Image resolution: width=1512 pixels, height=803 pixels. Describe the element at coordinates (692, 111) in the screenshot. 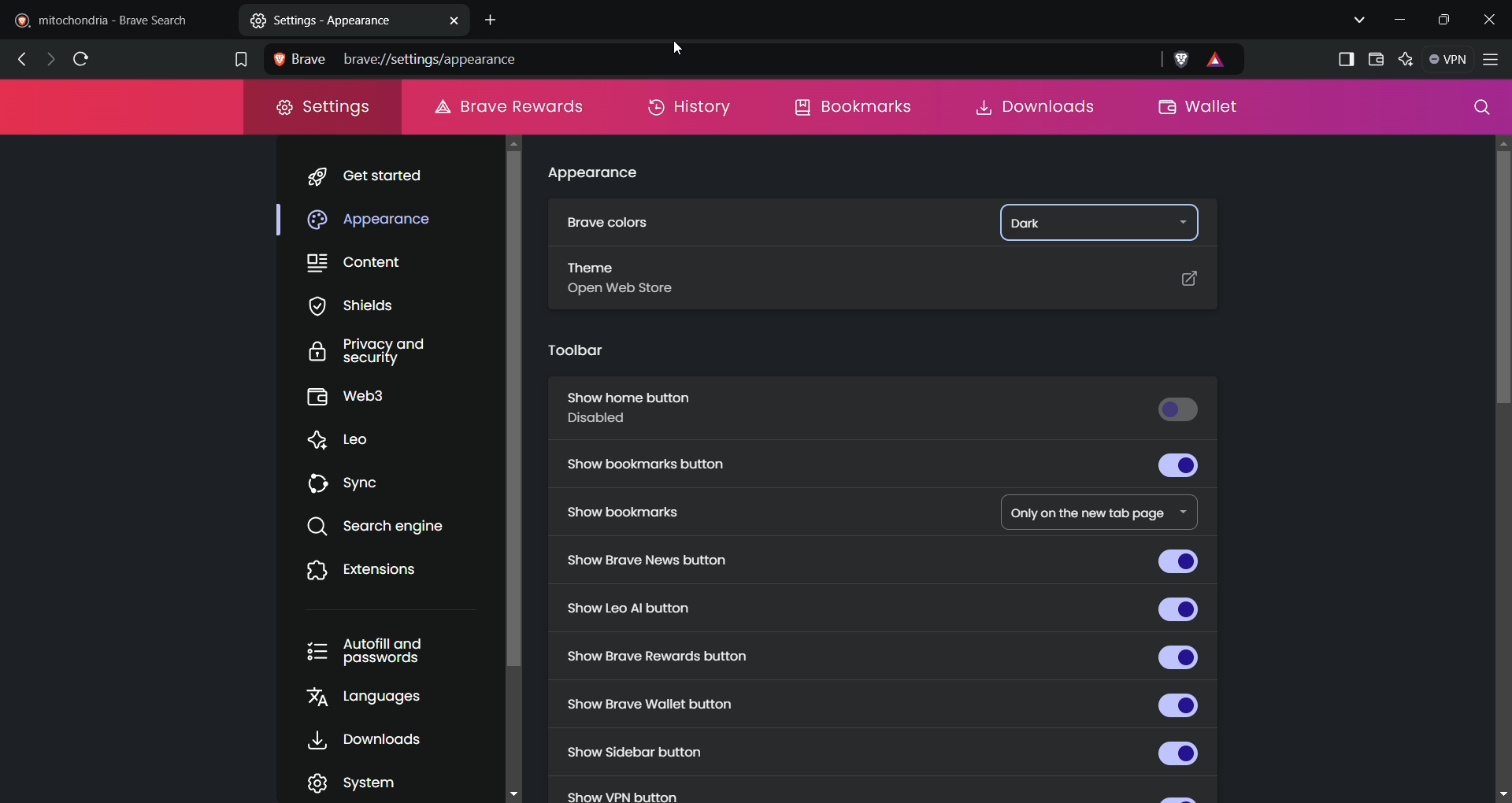

I see `history` at that location.